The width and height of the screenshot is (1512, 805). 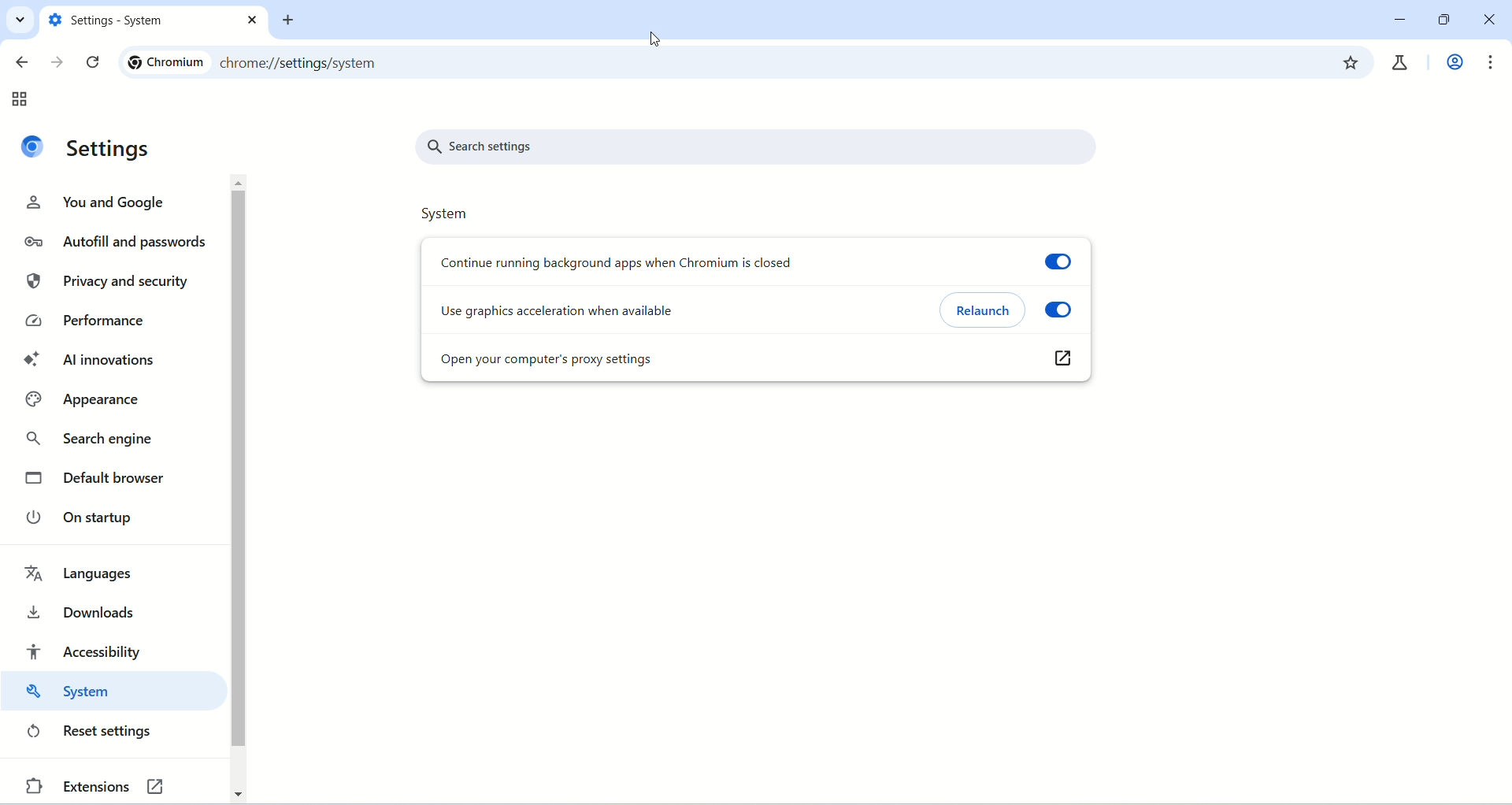 What do you see at coordinates (237, 792) in the screenshot?
I see `move down` at bounding box center [237, 792].